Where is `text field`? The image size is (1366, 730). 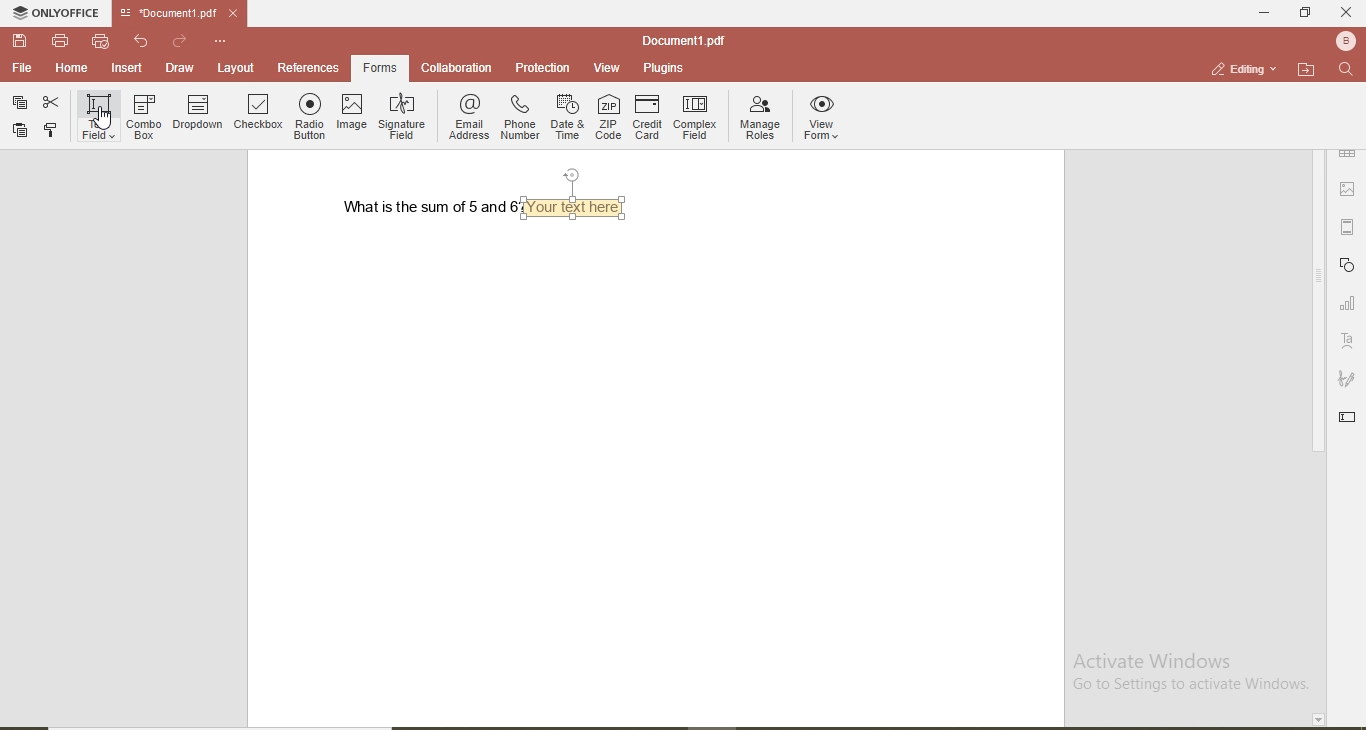 text field is located at coordinates (98, 115).